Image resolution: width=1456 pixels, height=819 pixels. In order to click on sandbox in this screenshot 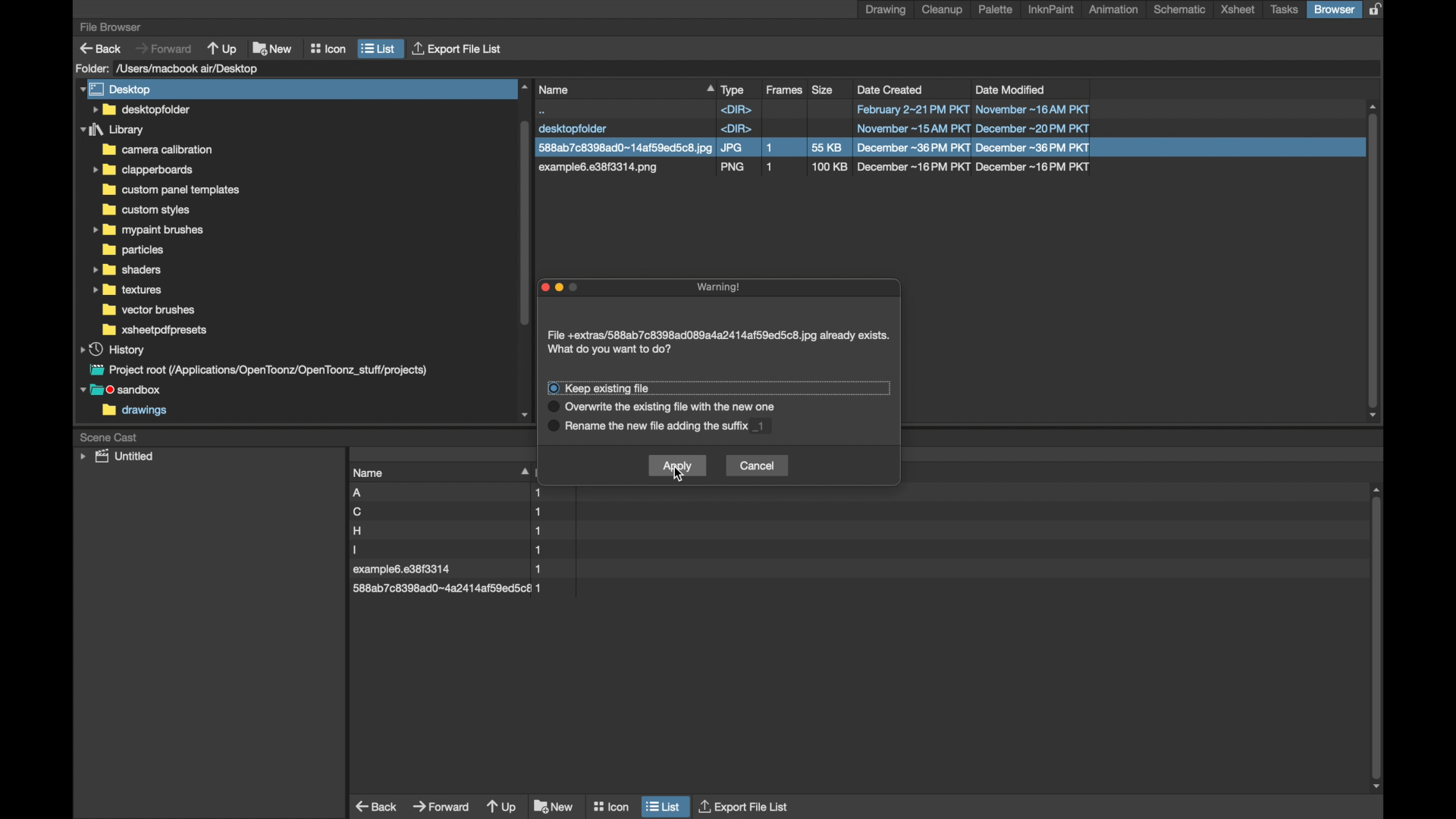, I will do `click(124, 391)`.